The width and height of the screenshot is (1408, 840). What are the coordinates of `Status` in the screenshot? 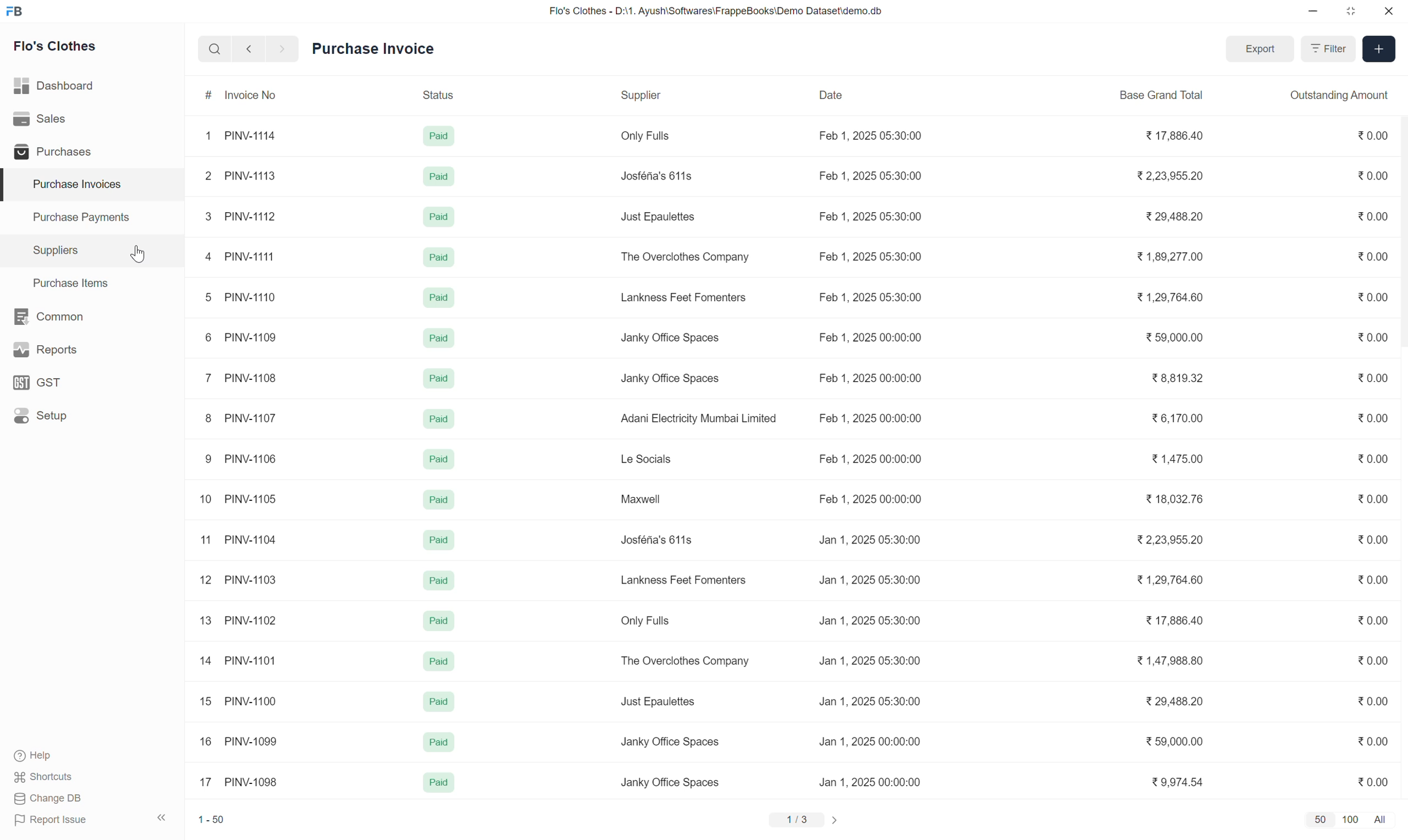 It's located at (435, 93).